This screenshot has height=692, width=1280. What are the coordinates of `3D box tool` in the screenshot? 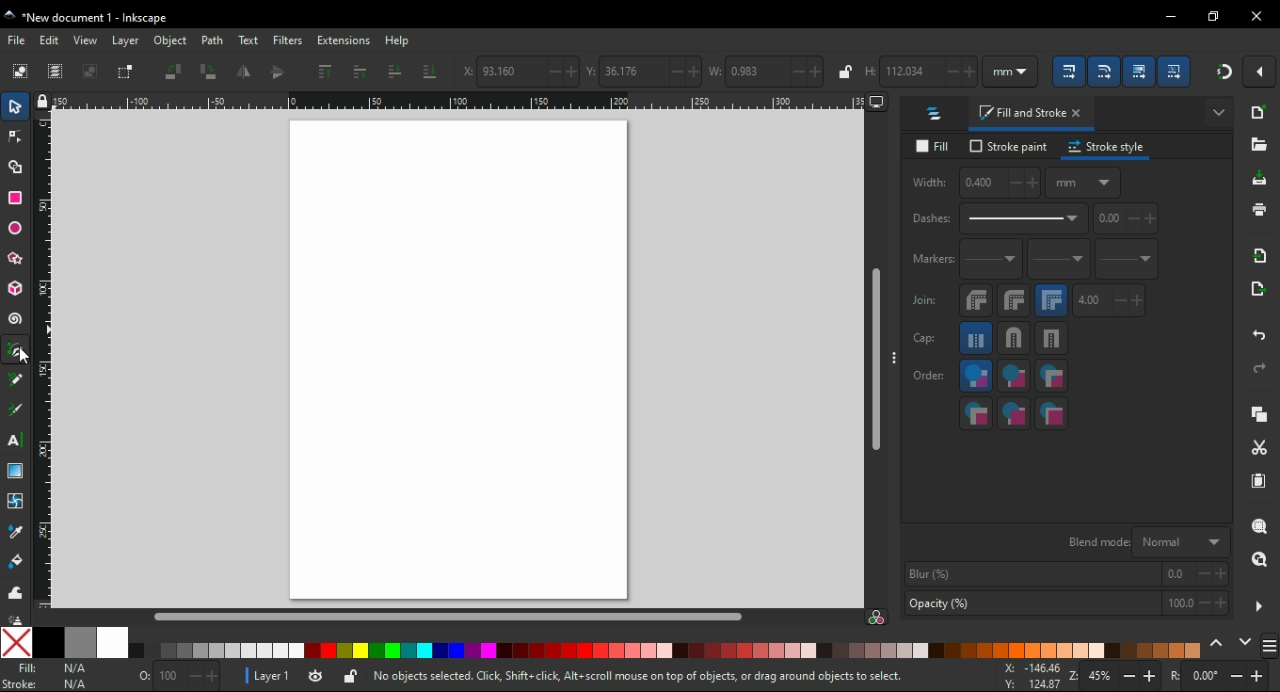 It's located at (16, 288).